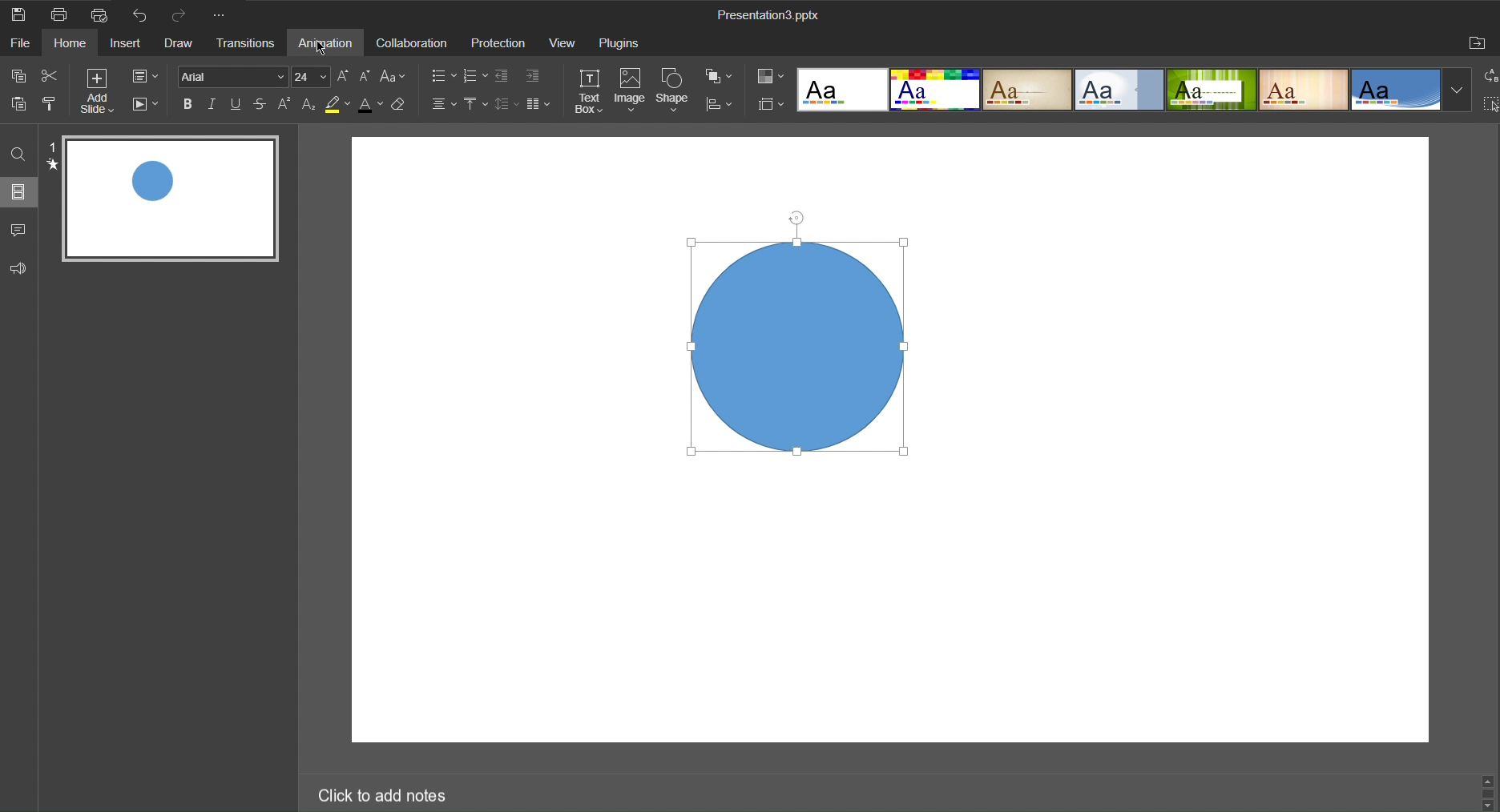  Describe the element at coordinates (312, 79) in the screenshot. I see `Font Size` at that location.